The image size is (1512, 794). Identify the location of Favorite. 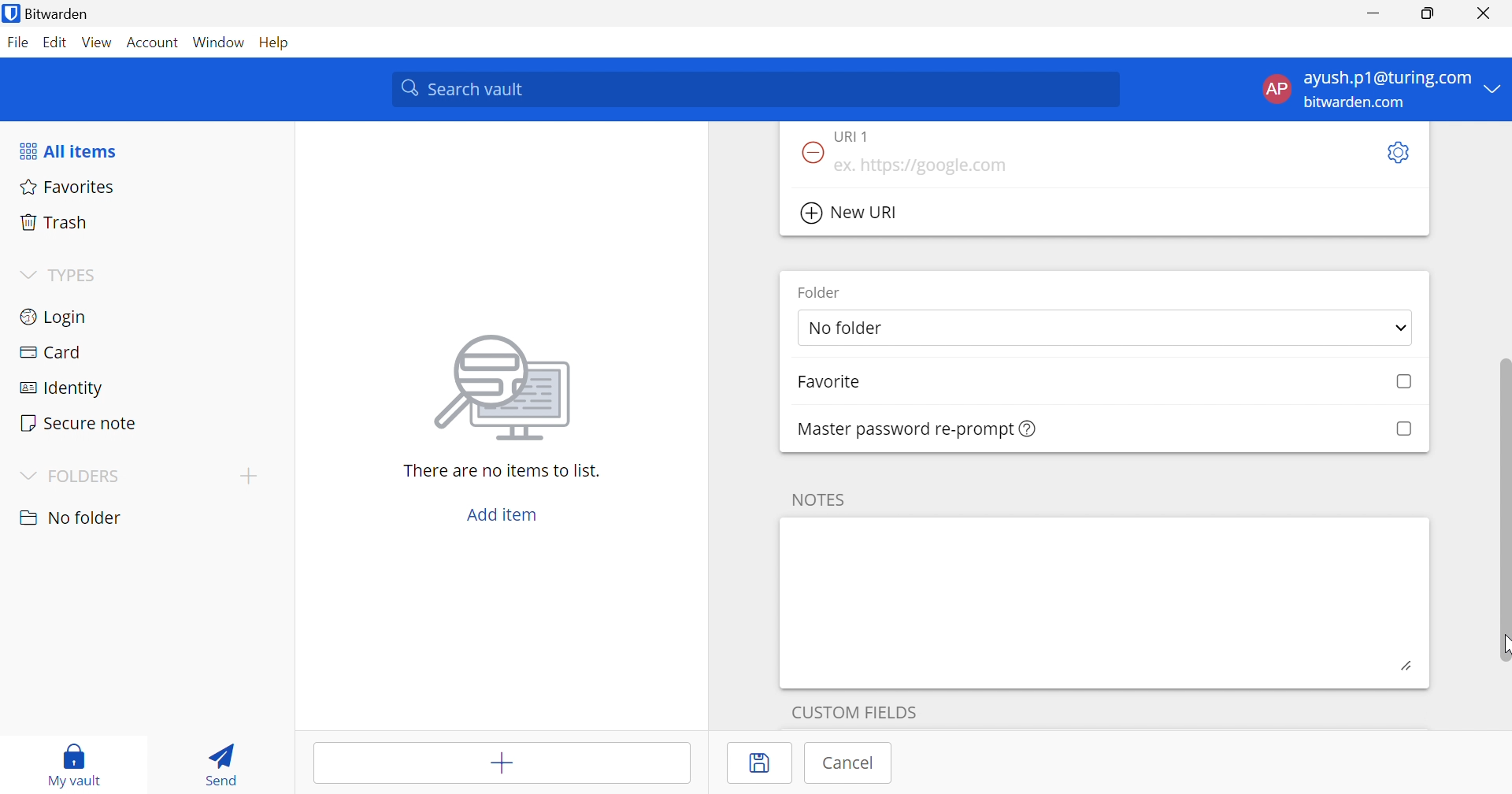
(828, 382).